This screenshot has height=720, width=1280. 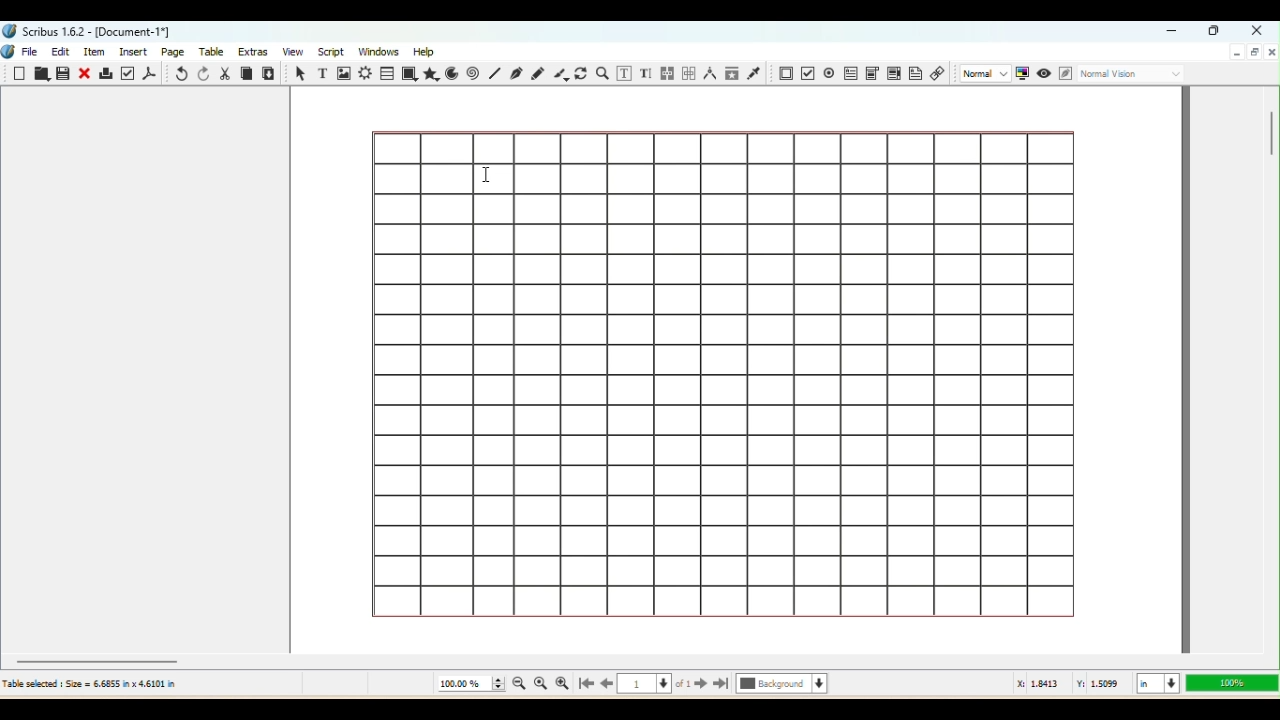 What do you see at coordinates (41, 75) in the screenshot?
I see `Open` at bounding box center [41, 75].